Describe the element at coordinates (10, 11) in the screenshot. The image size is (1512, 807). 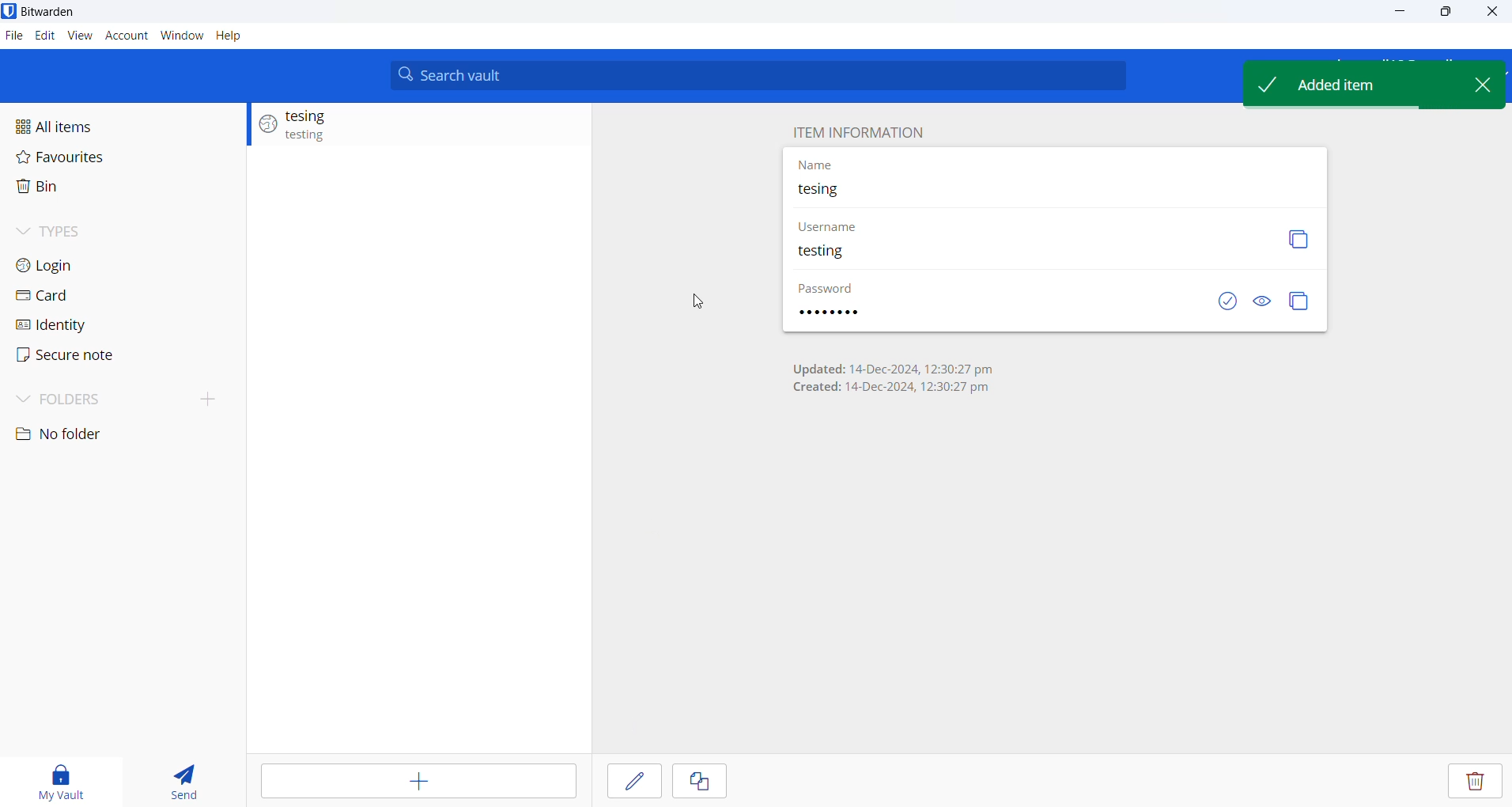
I see `application logo` at that location.